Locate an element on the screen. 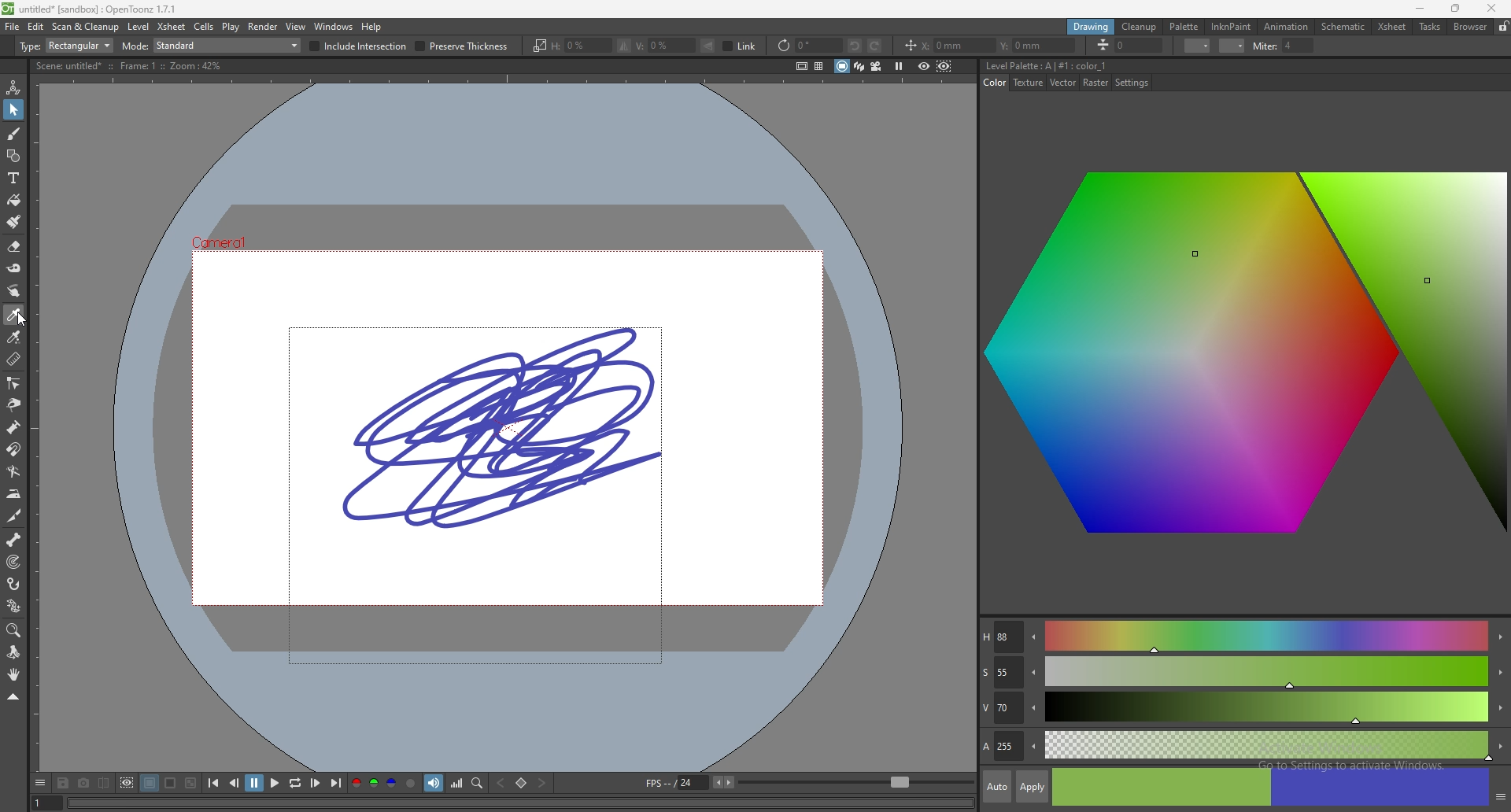  cursor is located at coordinates (24, 319).